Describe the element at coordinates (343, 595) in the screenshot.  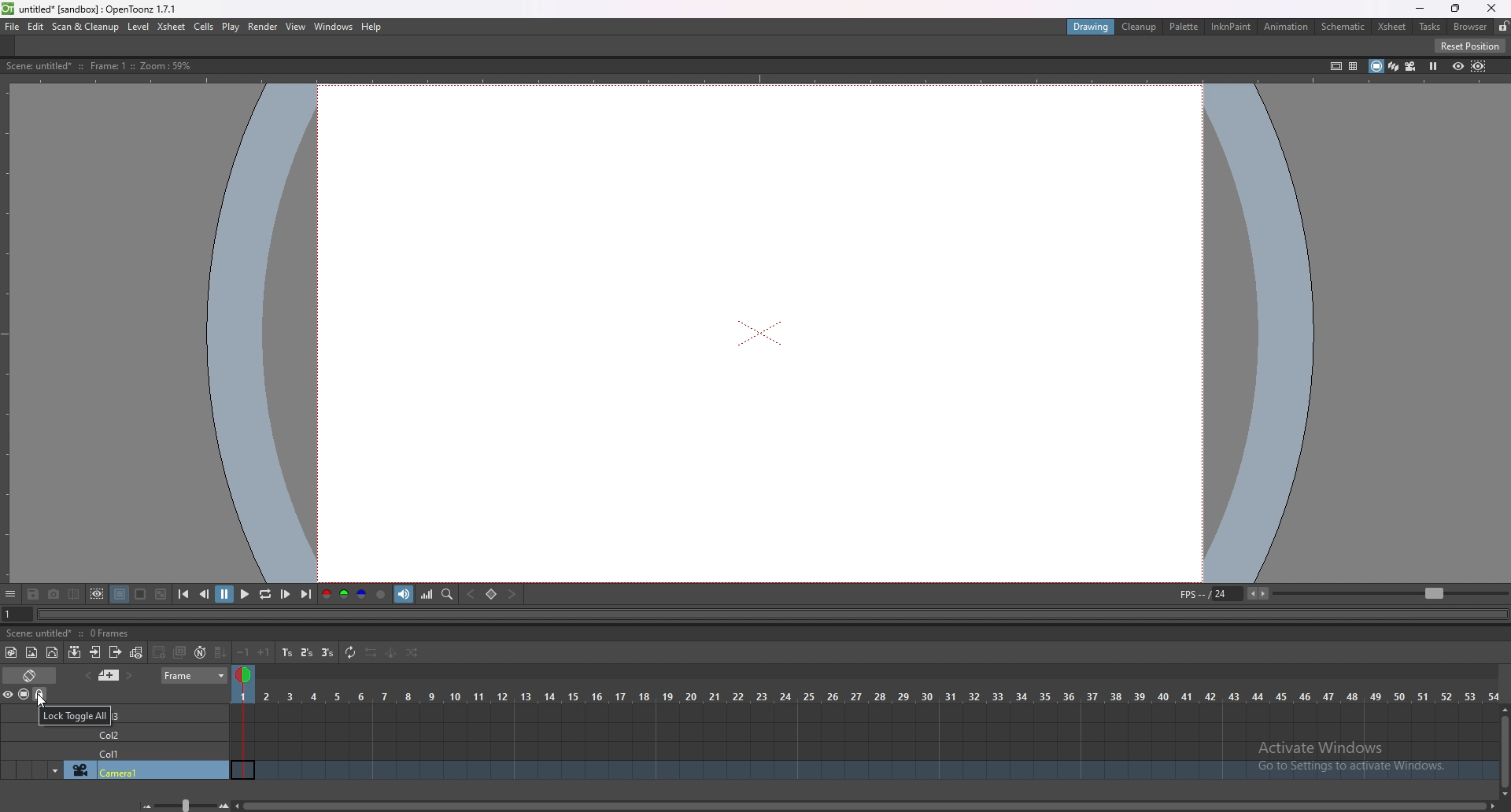
I see `green` at that location.